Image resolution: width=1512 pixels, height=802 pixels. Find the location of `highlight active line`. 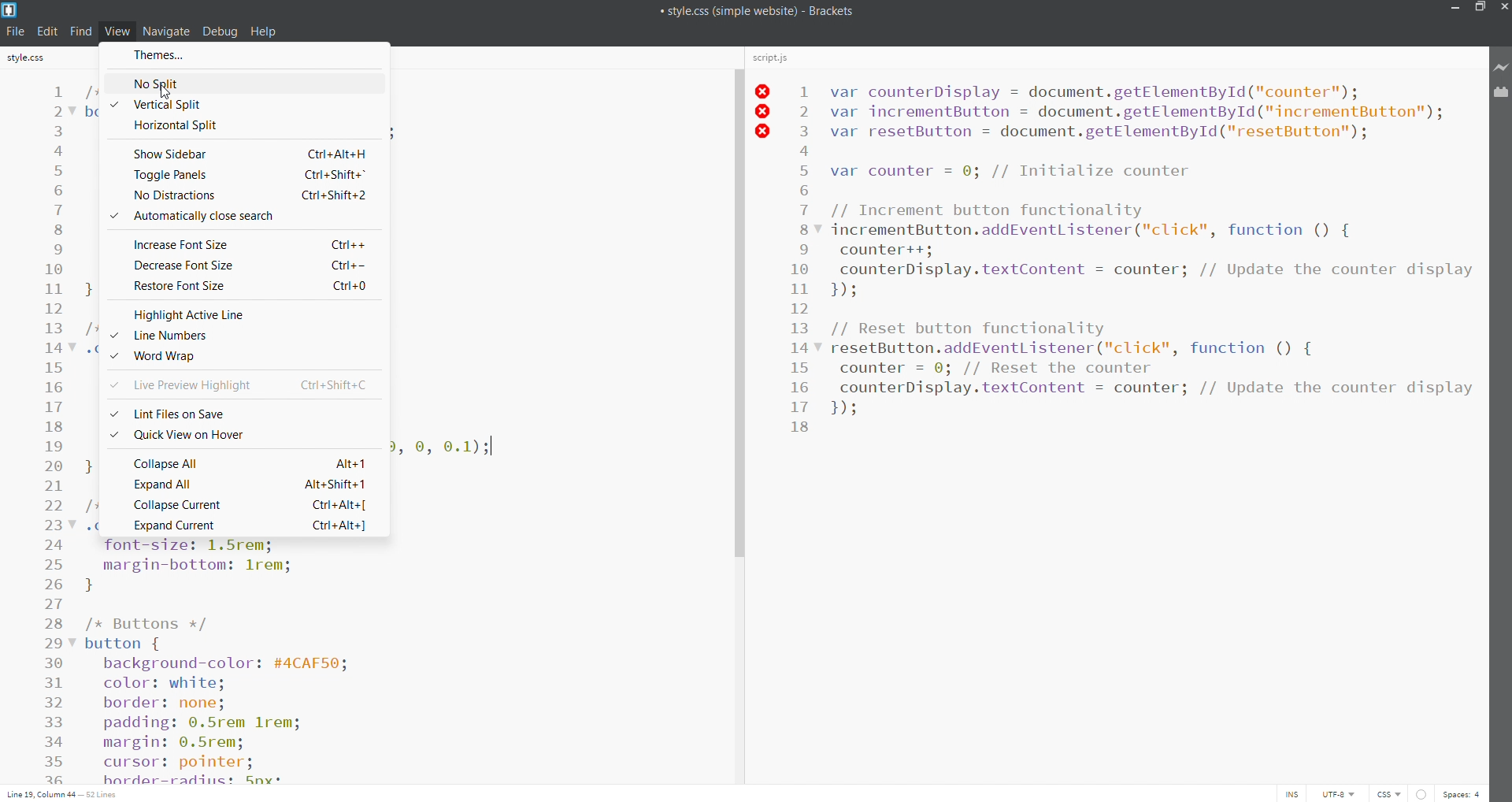

highlight active line is located at coordinates (244, 311).